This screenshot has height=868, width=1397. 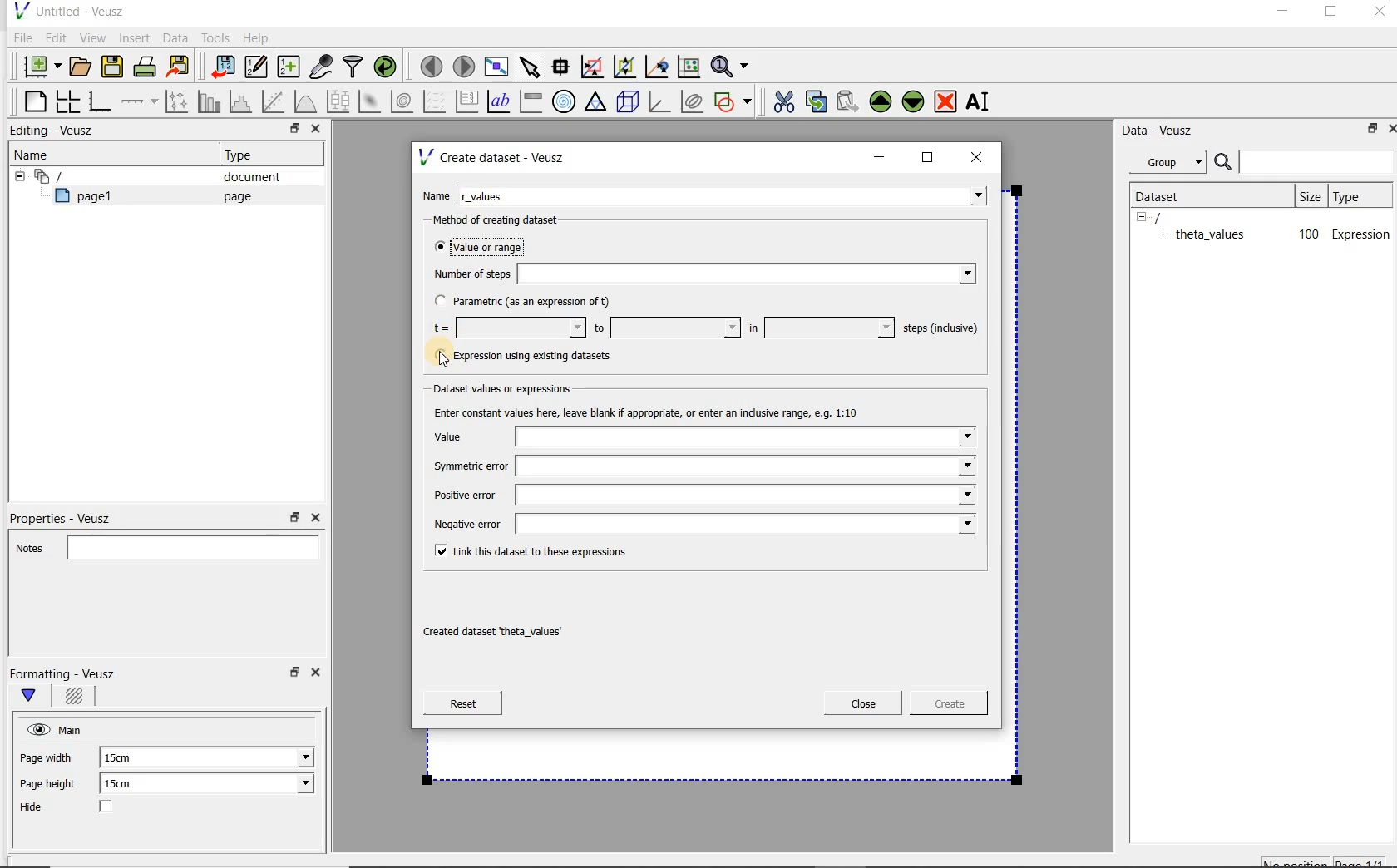 I want to click on Paste widget from the clipboard, so click(x=850, y=101).